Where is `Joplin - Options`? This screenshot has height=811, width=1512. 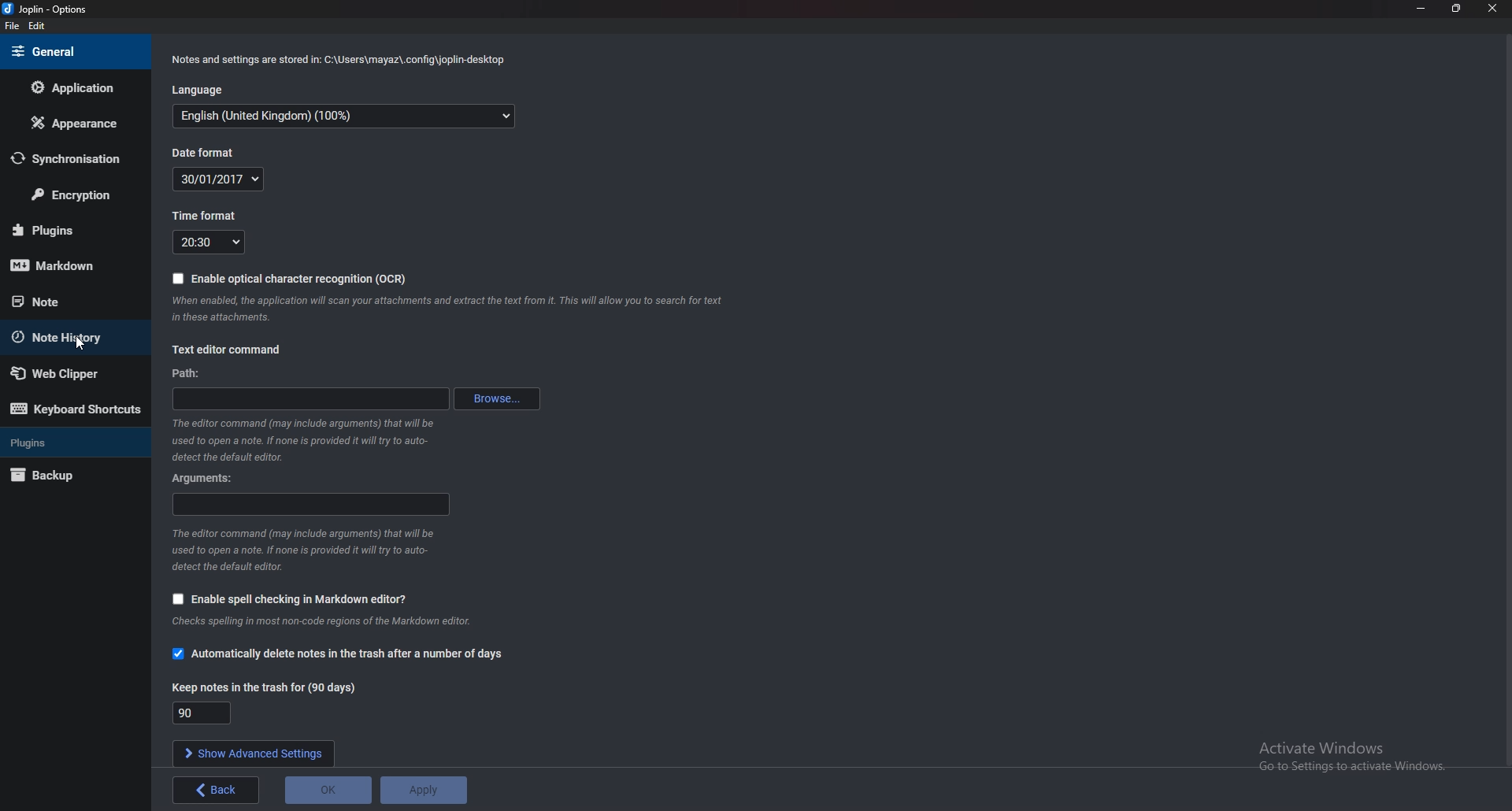 Joplin - Options is located at coordinates (49, 9).